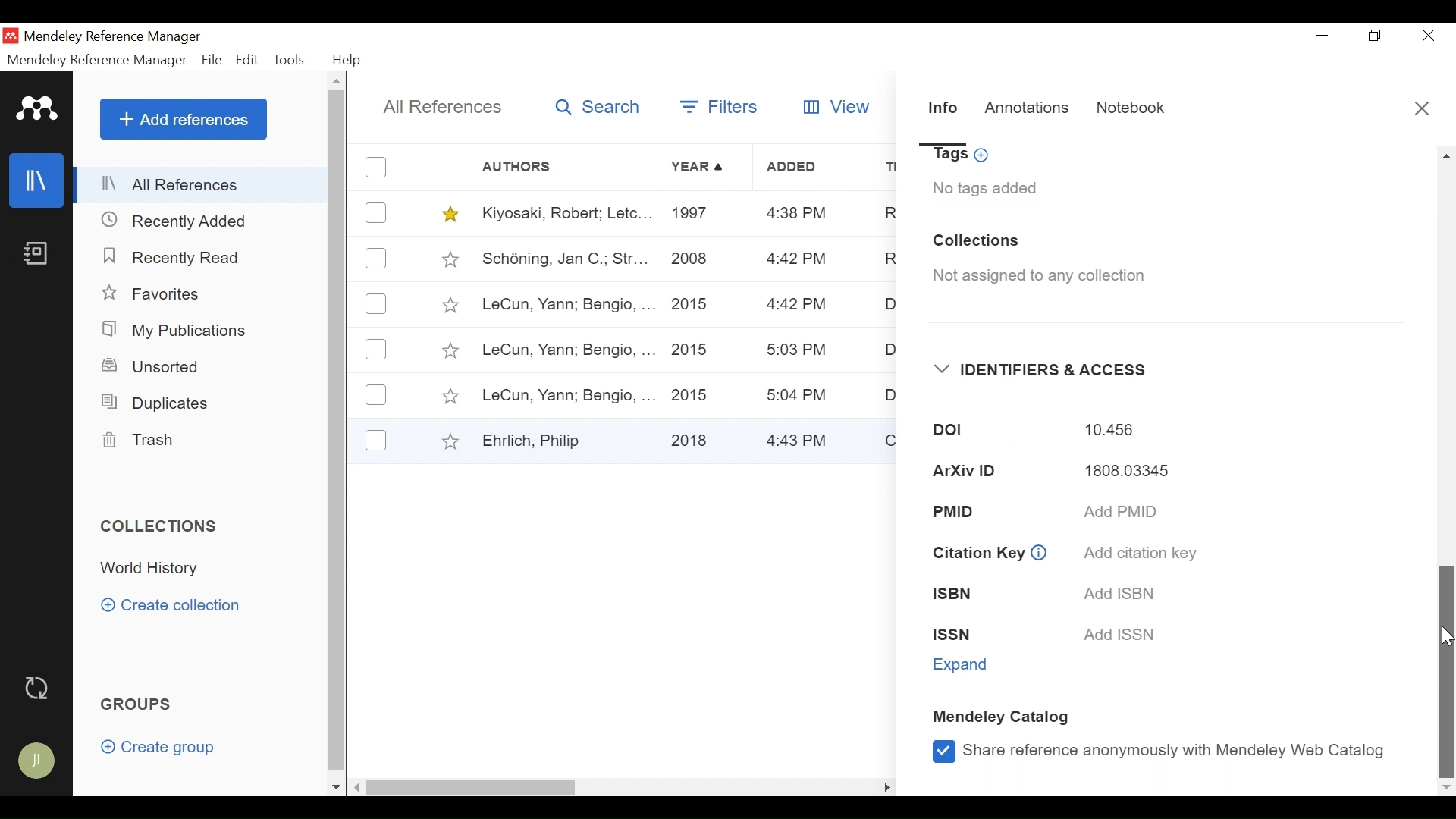 The image size is (1456, 819). What do you see at coordinates (34, 760) in the screenshot?
I see `Avatar` at bounding box center [34, 760].